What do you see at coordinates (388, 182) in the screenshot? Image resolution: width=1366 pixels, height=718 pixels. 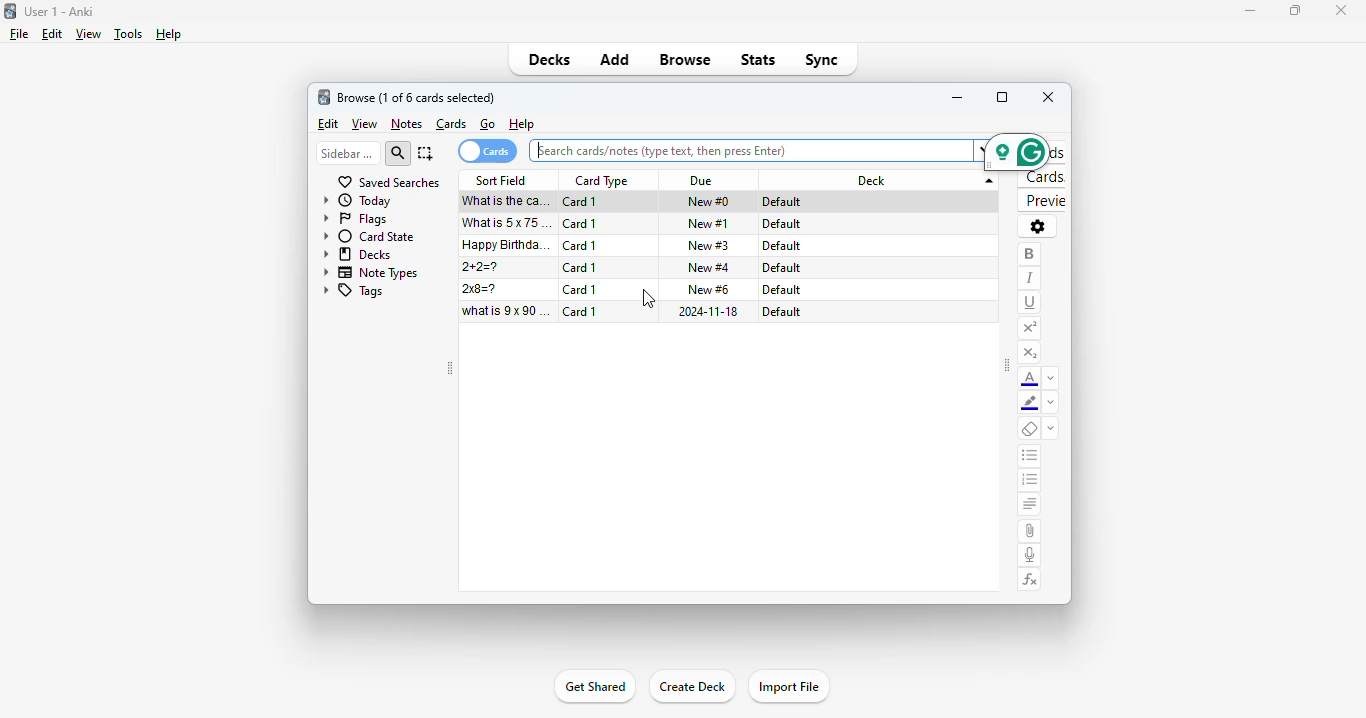 I see `saved searches` at bounding box center [388, 182].